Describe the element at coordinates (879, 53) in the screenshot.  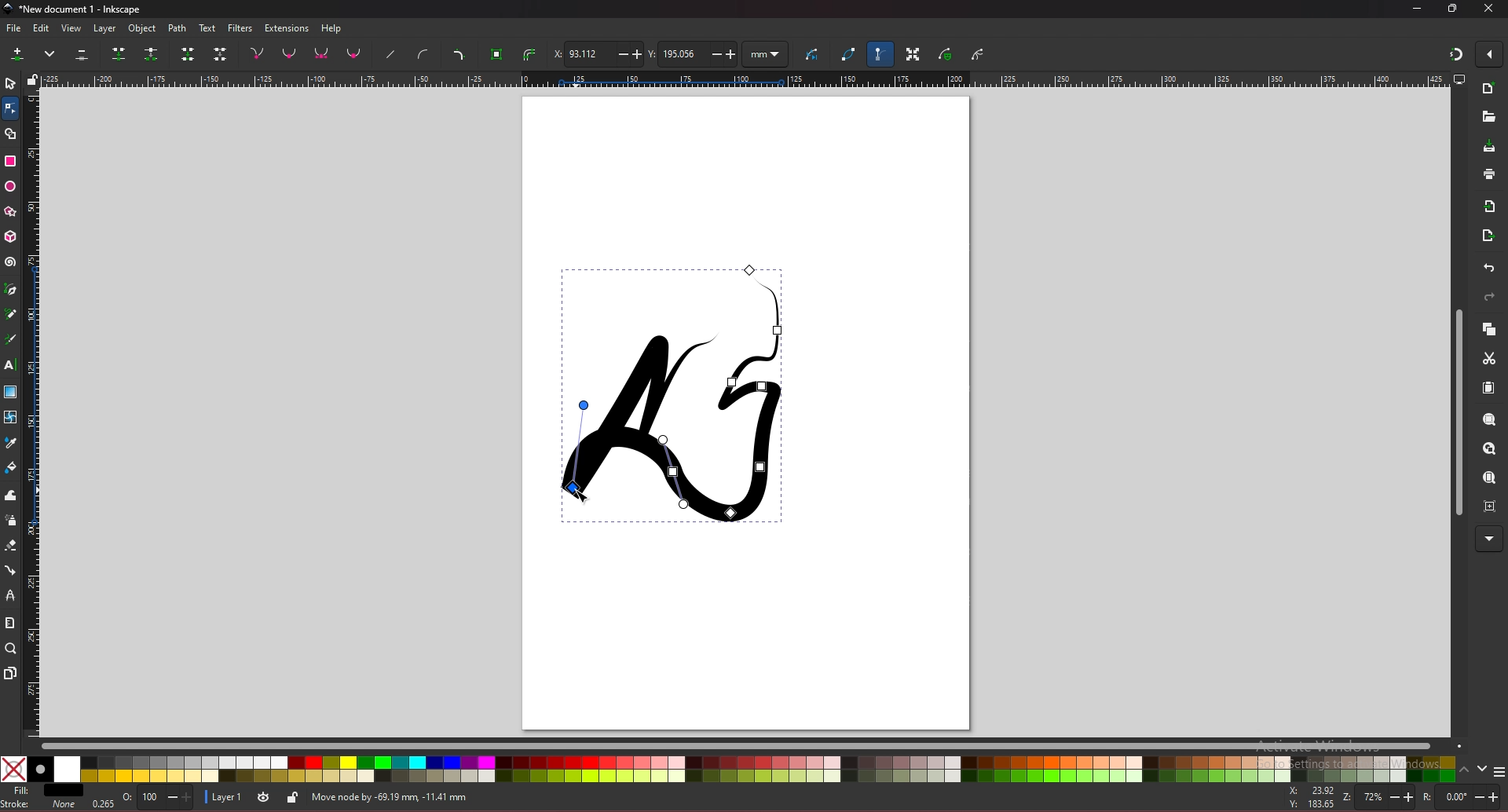
I see `bezier handle` at that location.